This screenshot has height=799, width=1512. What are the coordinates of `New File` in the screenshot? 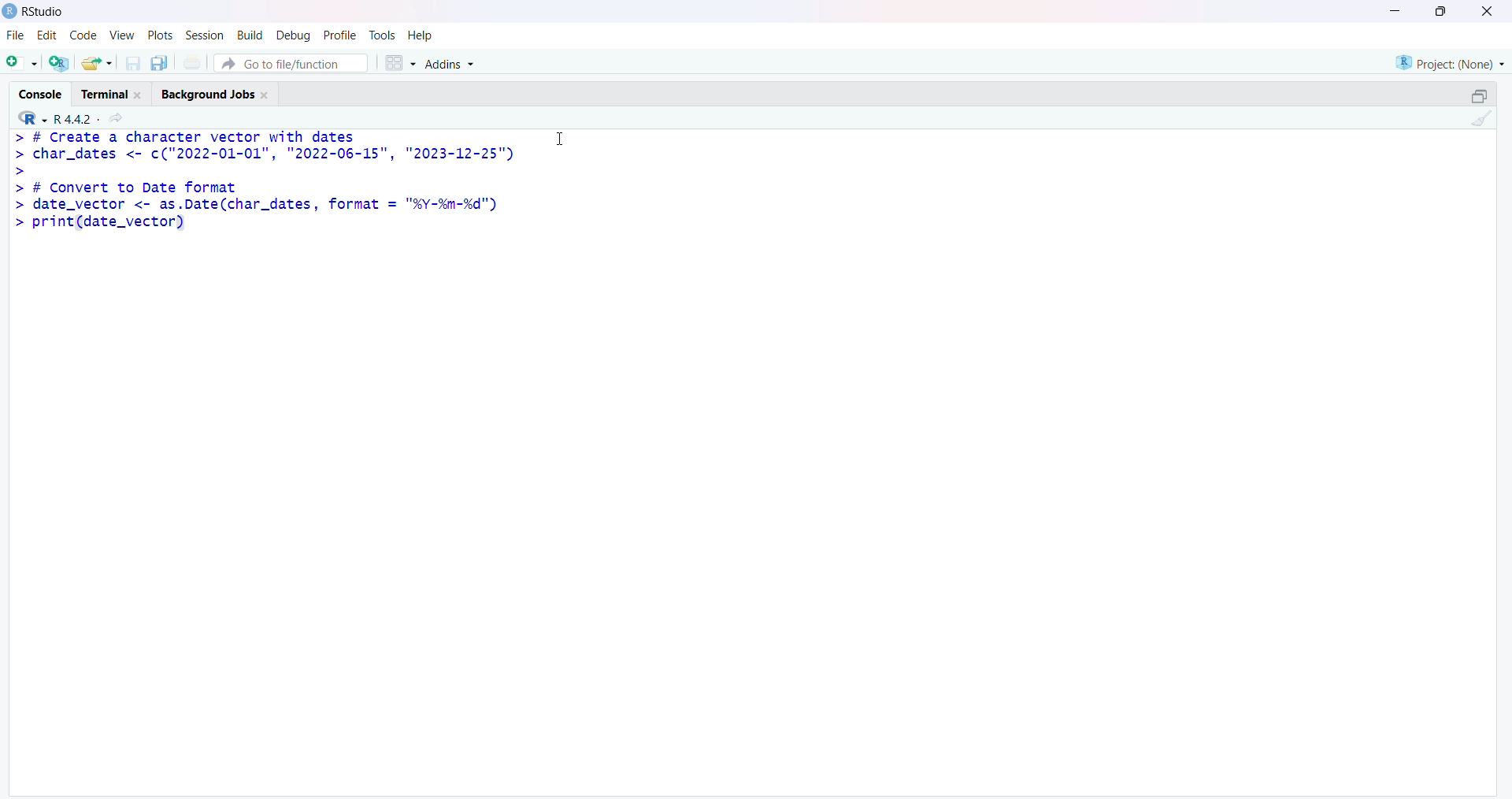 It's located at (22, 61).